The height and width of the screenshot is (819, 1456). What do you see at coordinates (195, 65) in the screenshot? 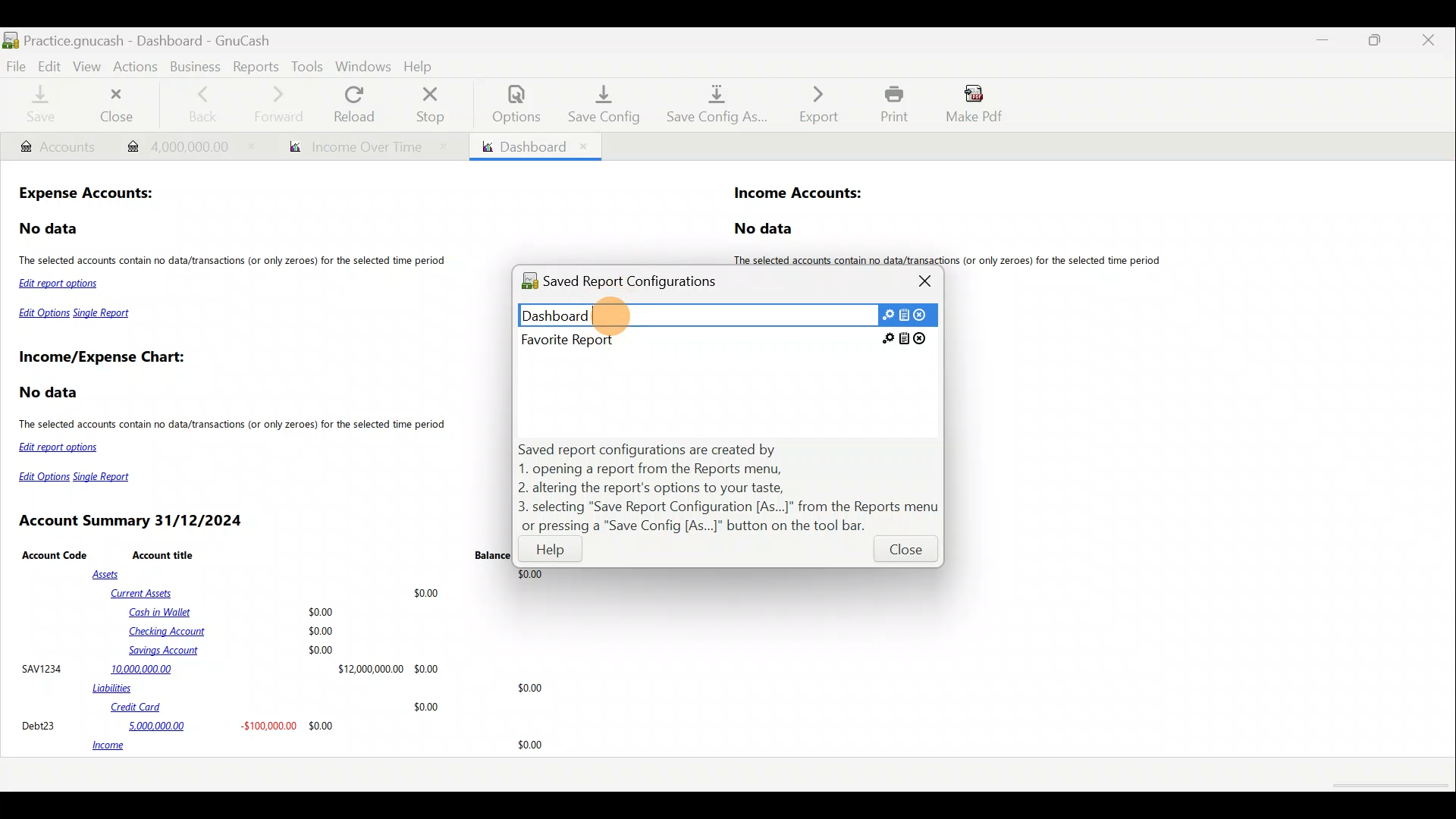
I see `Business` at bounding box center [195, 65].